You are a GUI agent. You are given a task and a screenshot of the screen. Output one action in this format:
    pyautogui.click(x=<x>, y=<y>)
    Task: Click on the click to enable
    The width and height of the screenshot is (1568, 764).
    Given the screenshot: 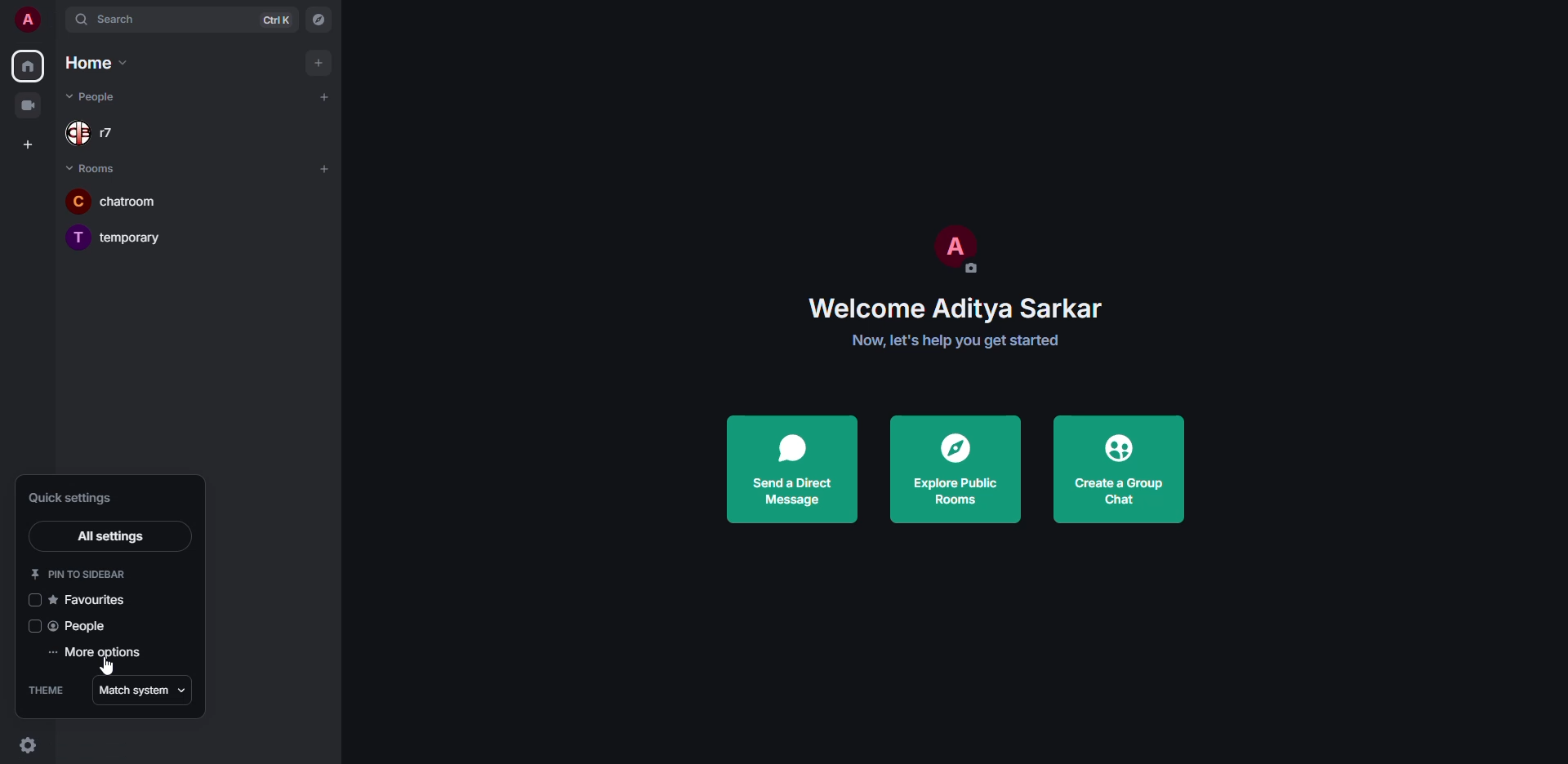 What is the action you would take?
    pyautogui.click(x=34, y=625)
    